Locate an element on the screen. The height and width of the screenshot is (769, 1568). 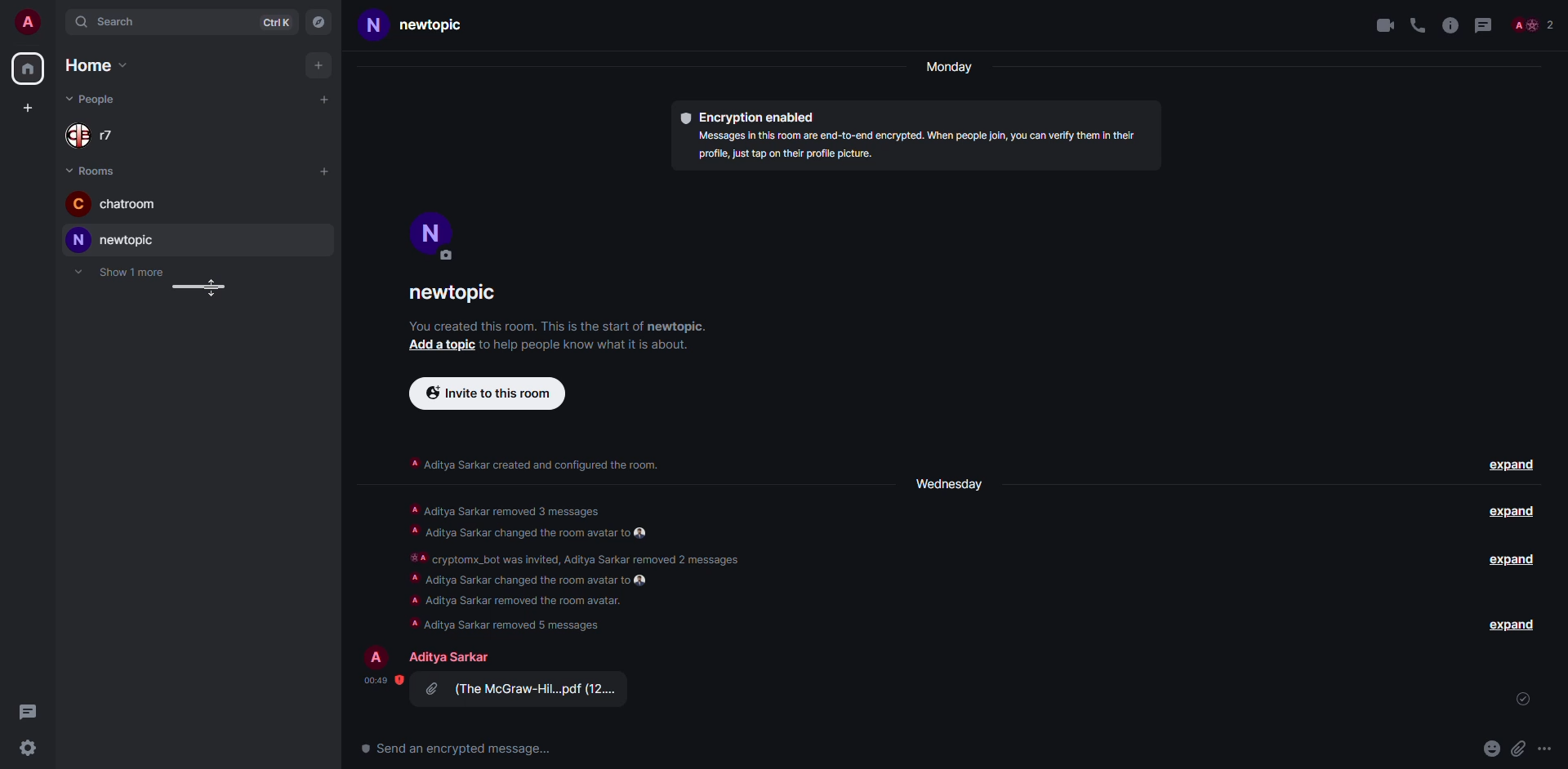
file is located at coordinates (522, 691).